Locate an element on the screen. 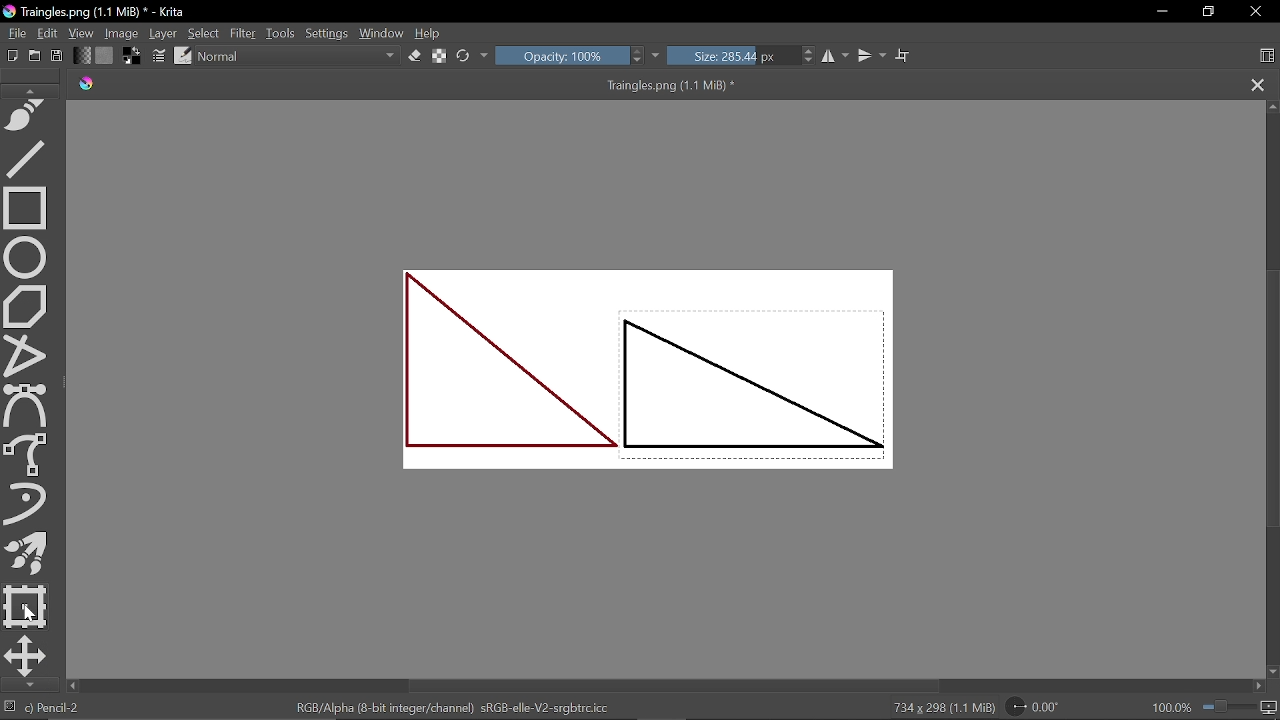 This screenshot has width=1280, height=720. Fill pattern is located at coordinates (105, 56).